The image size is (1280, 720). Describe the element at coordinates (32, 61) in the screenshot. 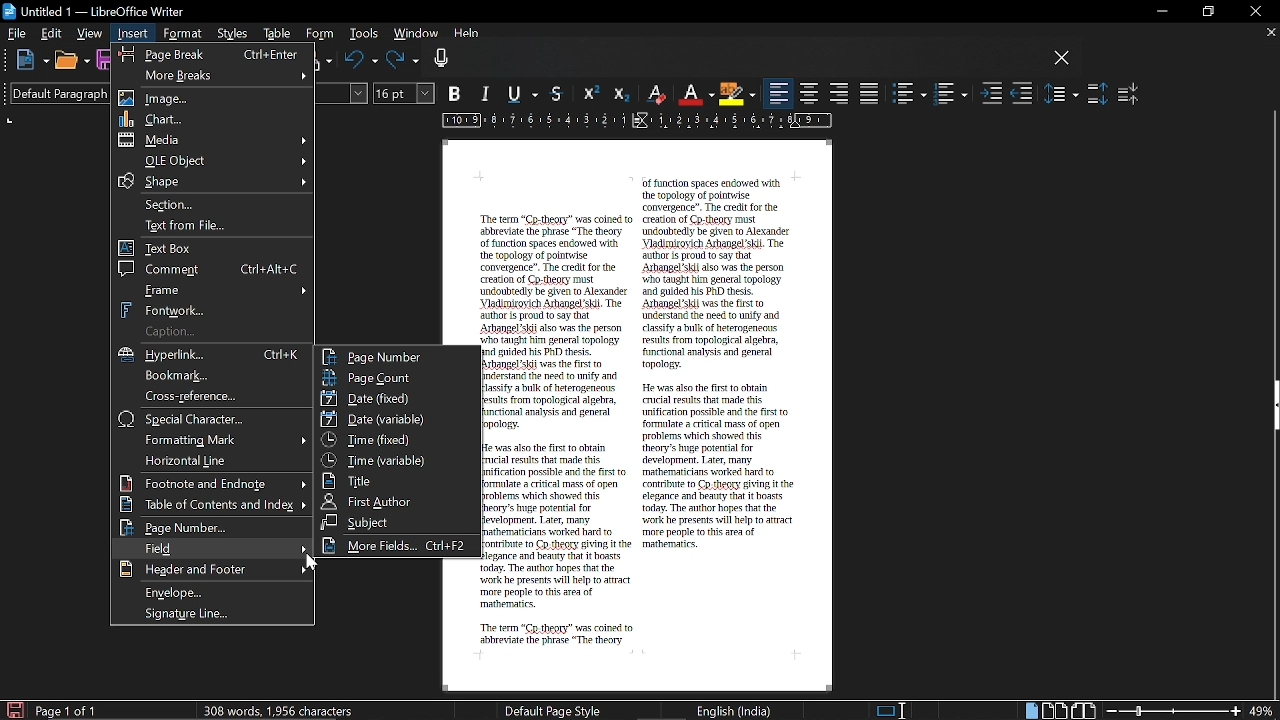

I see `New` at that location.